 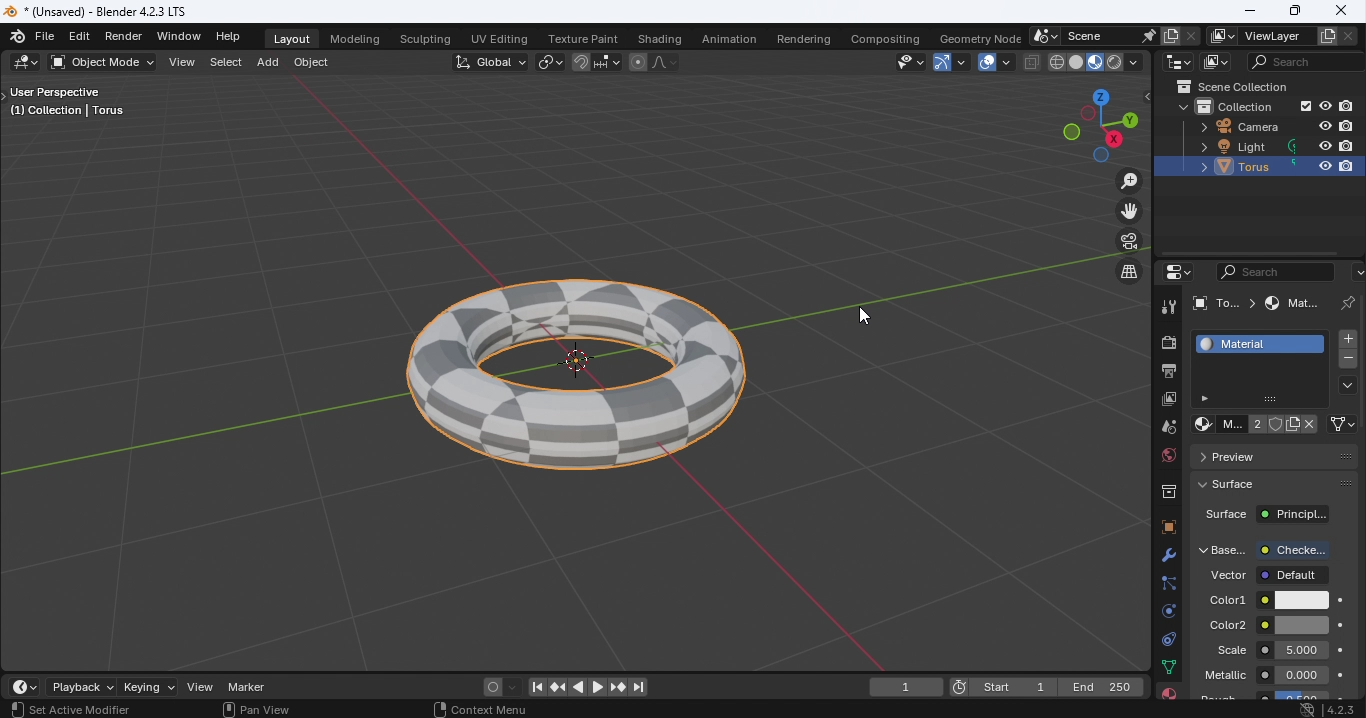 What do you see at coordinates (1056, 62) in the screenshot?
I see `Viewport shading` at bounding box center [1056, 62].